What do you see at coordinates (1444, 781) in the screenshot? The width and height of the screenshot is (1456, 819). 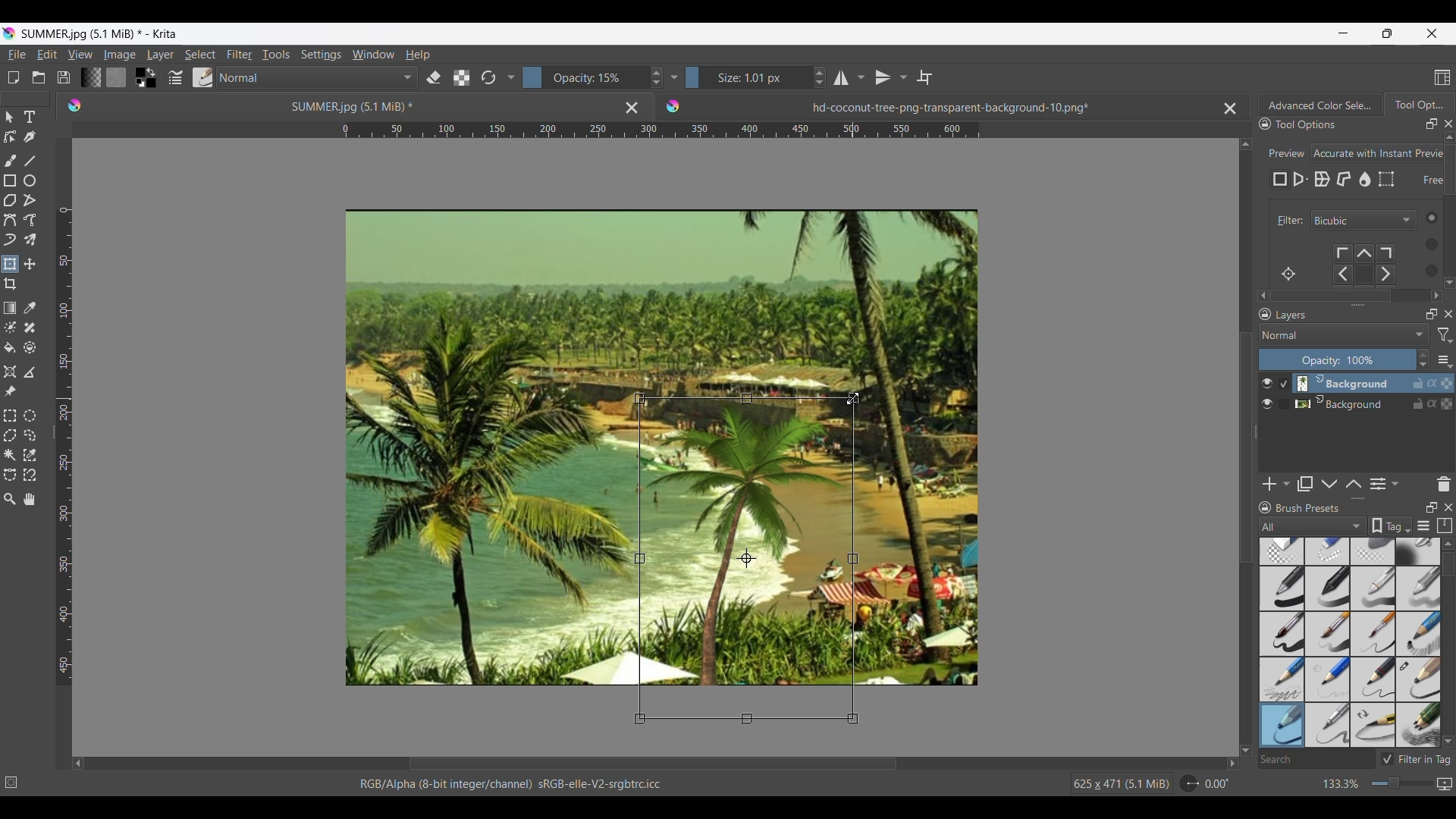 I see `Slideshow` at bounding box center [1444, 781].